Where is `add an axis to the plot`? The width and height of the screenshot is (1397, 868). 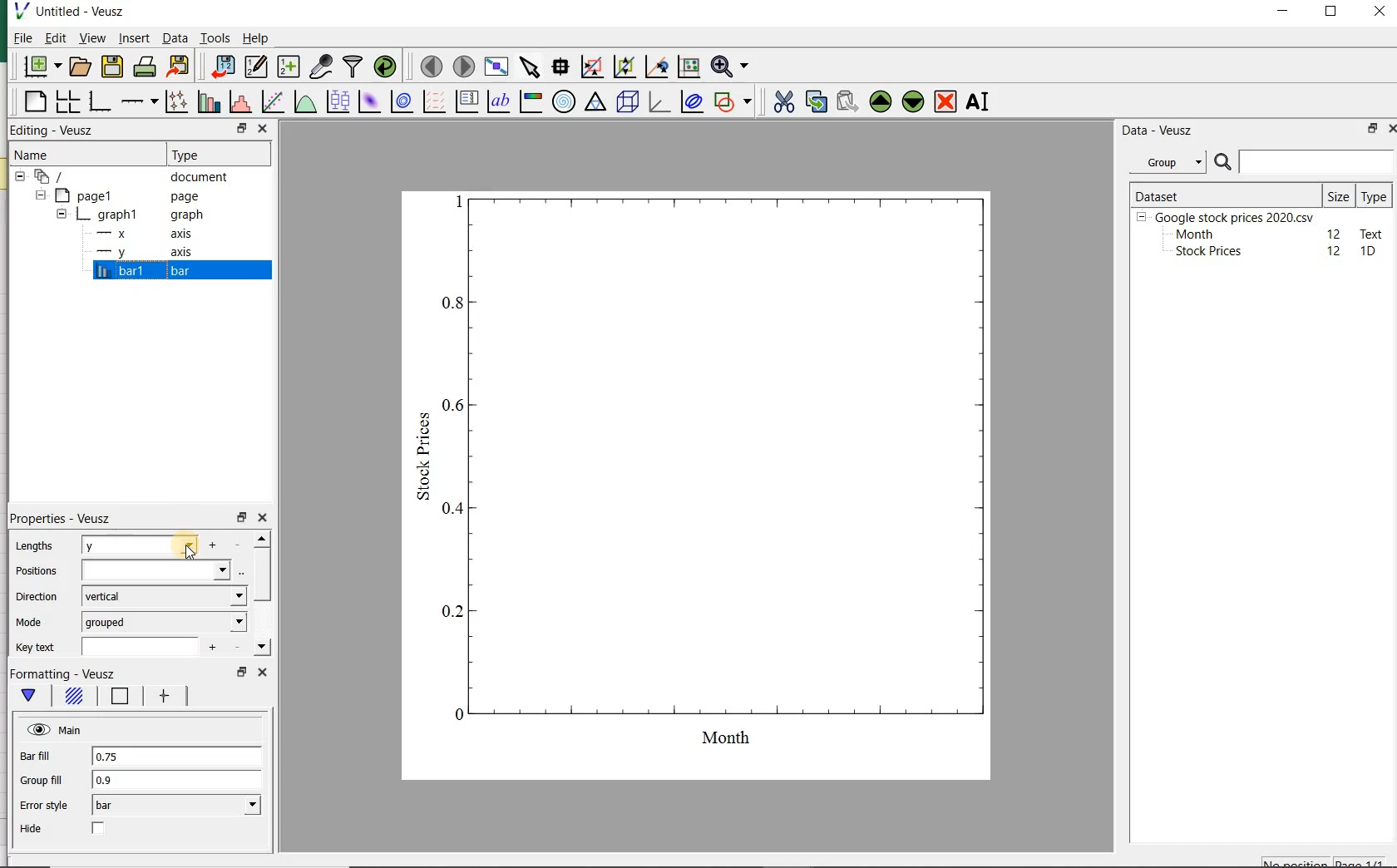 add an axis to the plot is located at coordinates (138, 103).